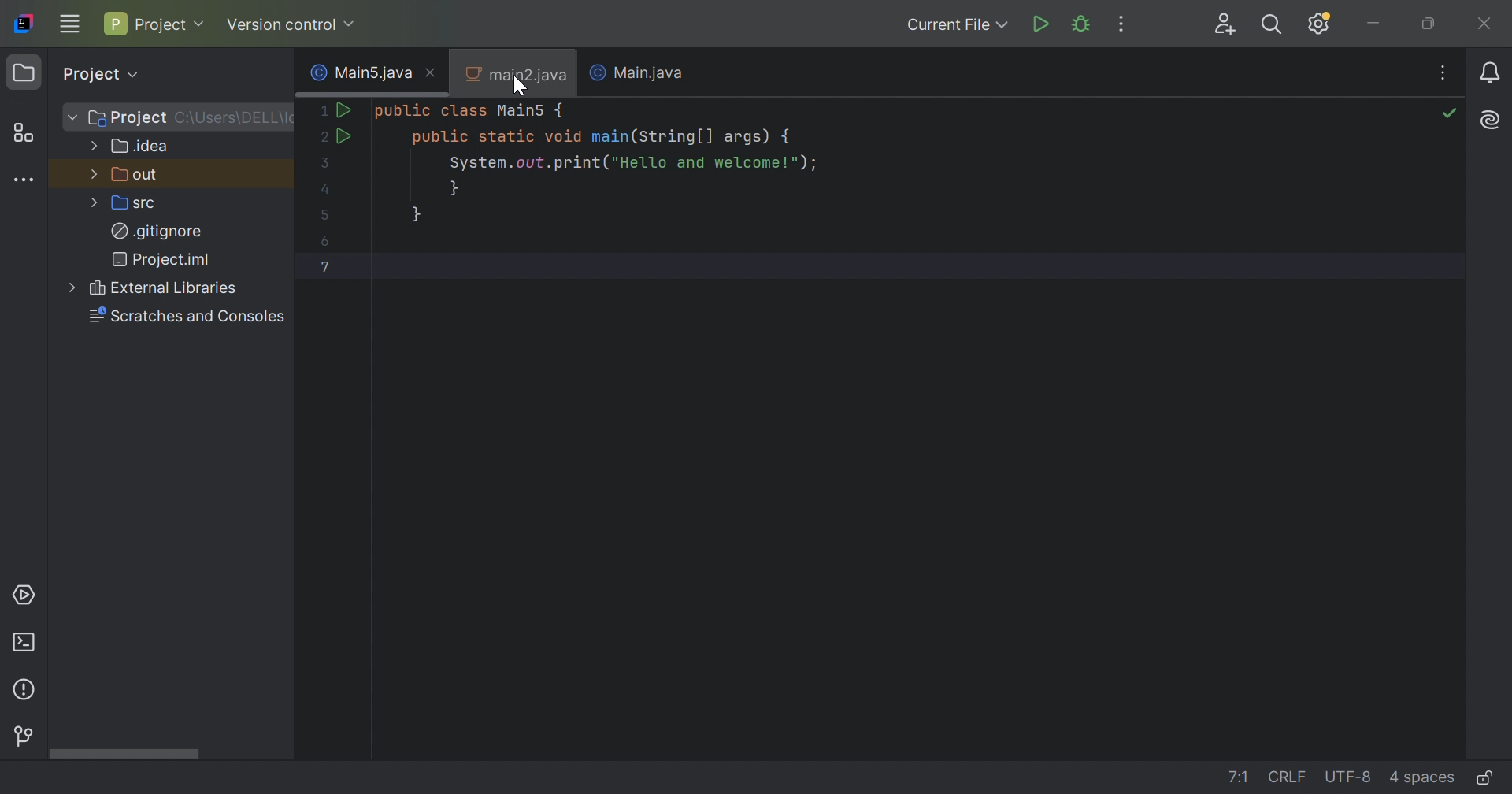 This screenshot has height=794, width=1512. Describe the element at coordinates (1443, 71) in the screenshot. I see `Recent Files, Tab Actions, and More` at that location.